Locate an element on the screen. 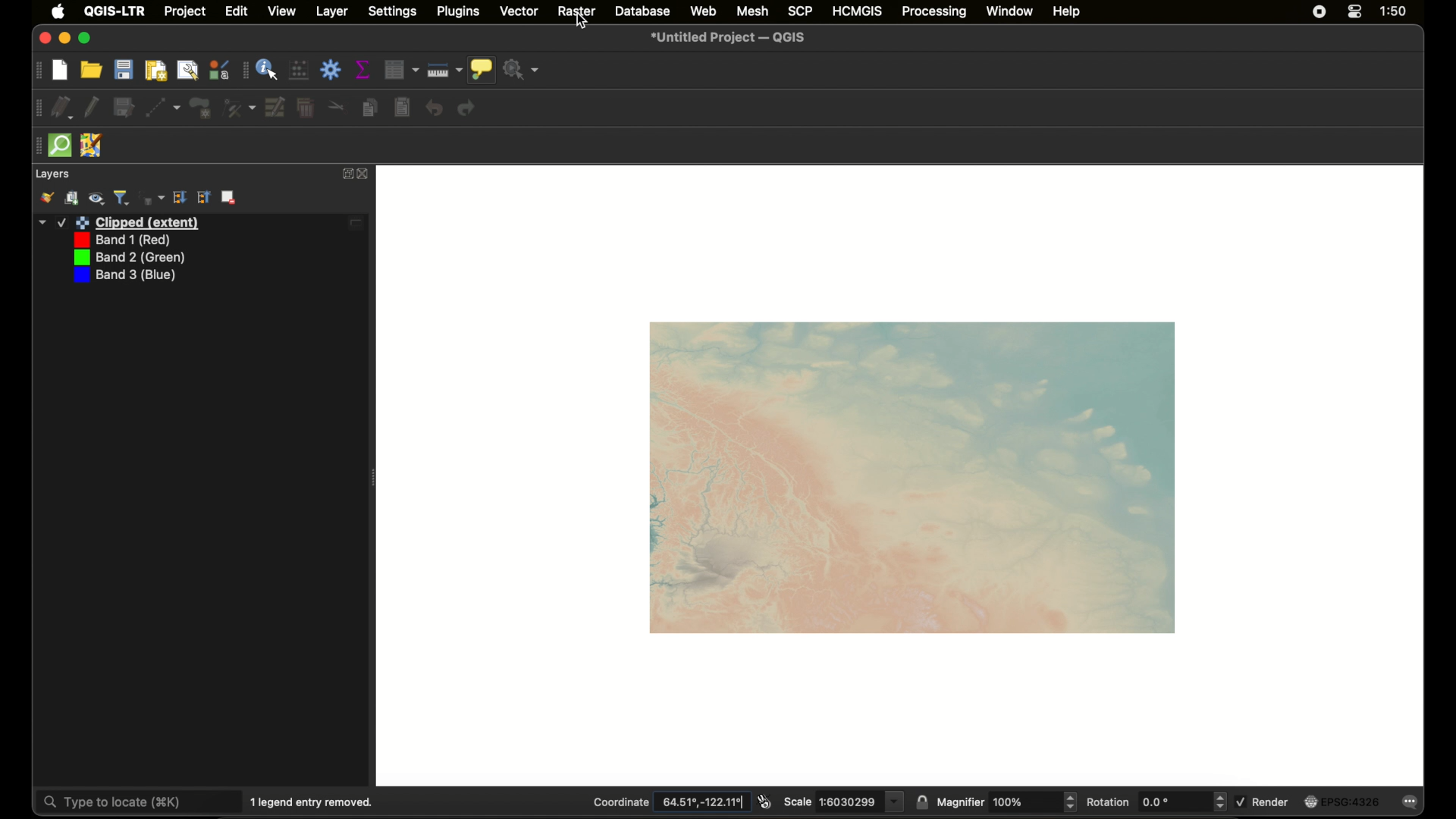 Image resolution: width=1456 pixels, height=819 pixels. rotation is located at coordinates (1156, 802).